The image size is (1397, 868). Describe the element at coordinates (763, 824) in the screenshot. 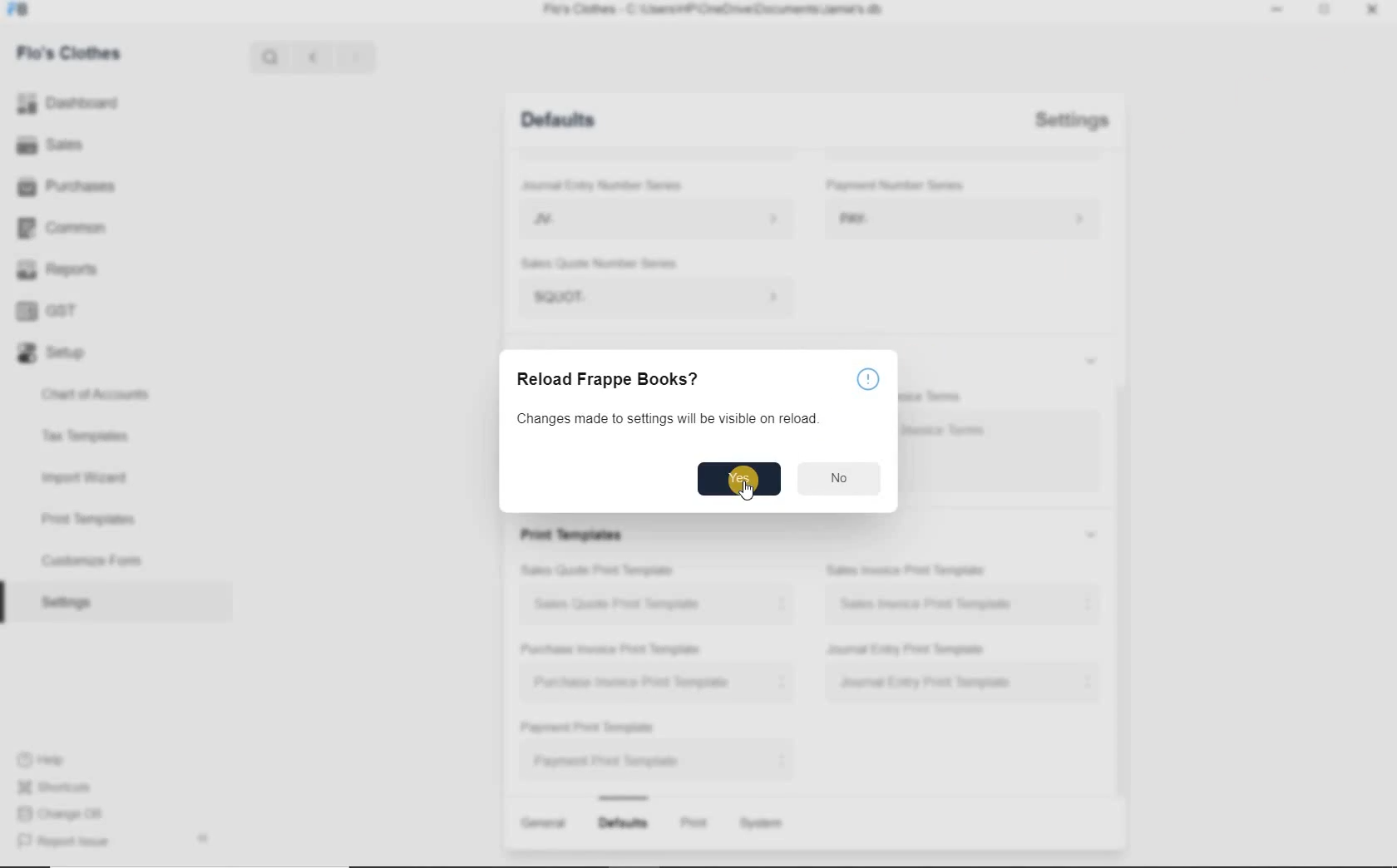

I see `System` at that location.